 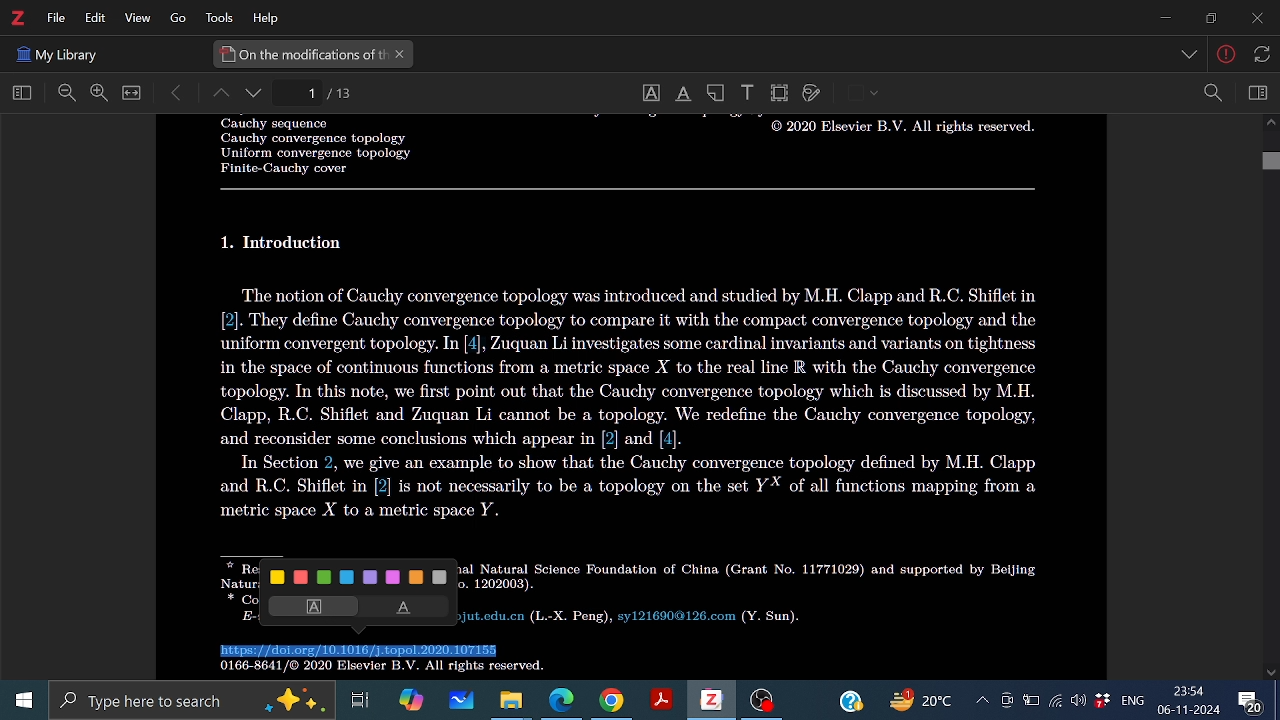 I want to click on Zoom out, so click(x=67, y=94).